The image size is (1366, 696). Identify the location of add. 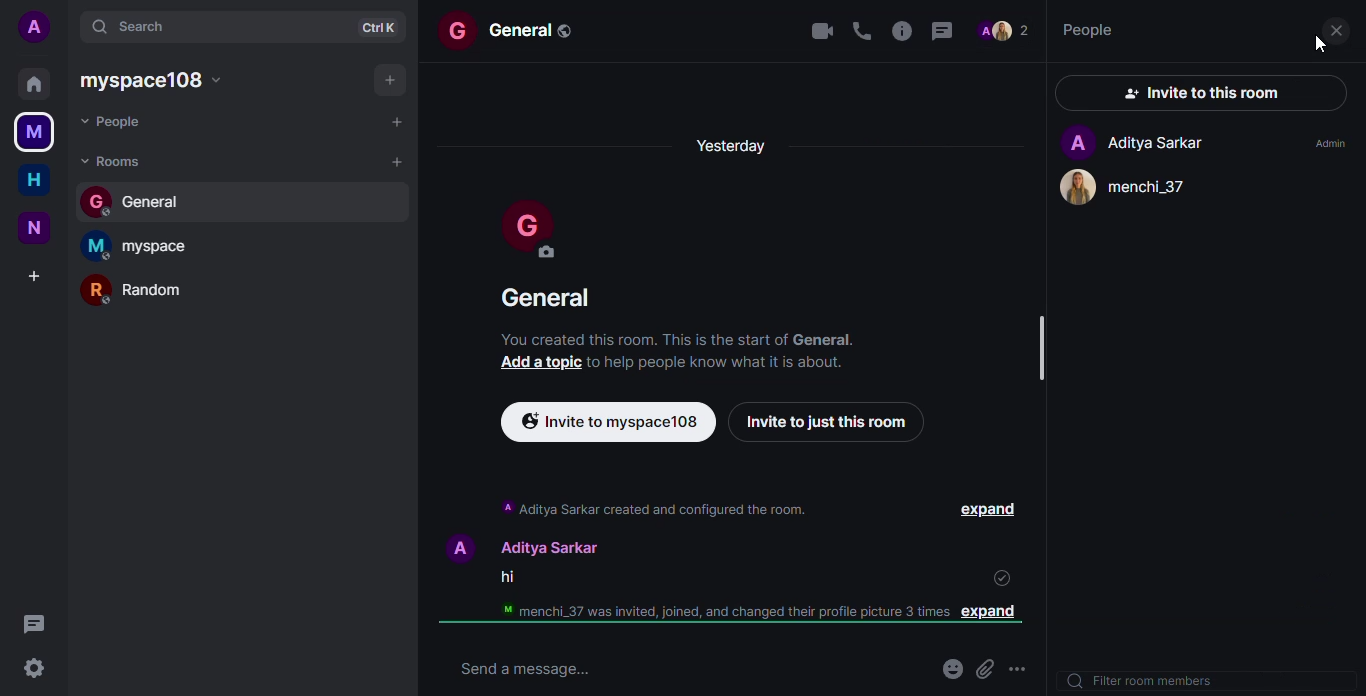
(38, 275).